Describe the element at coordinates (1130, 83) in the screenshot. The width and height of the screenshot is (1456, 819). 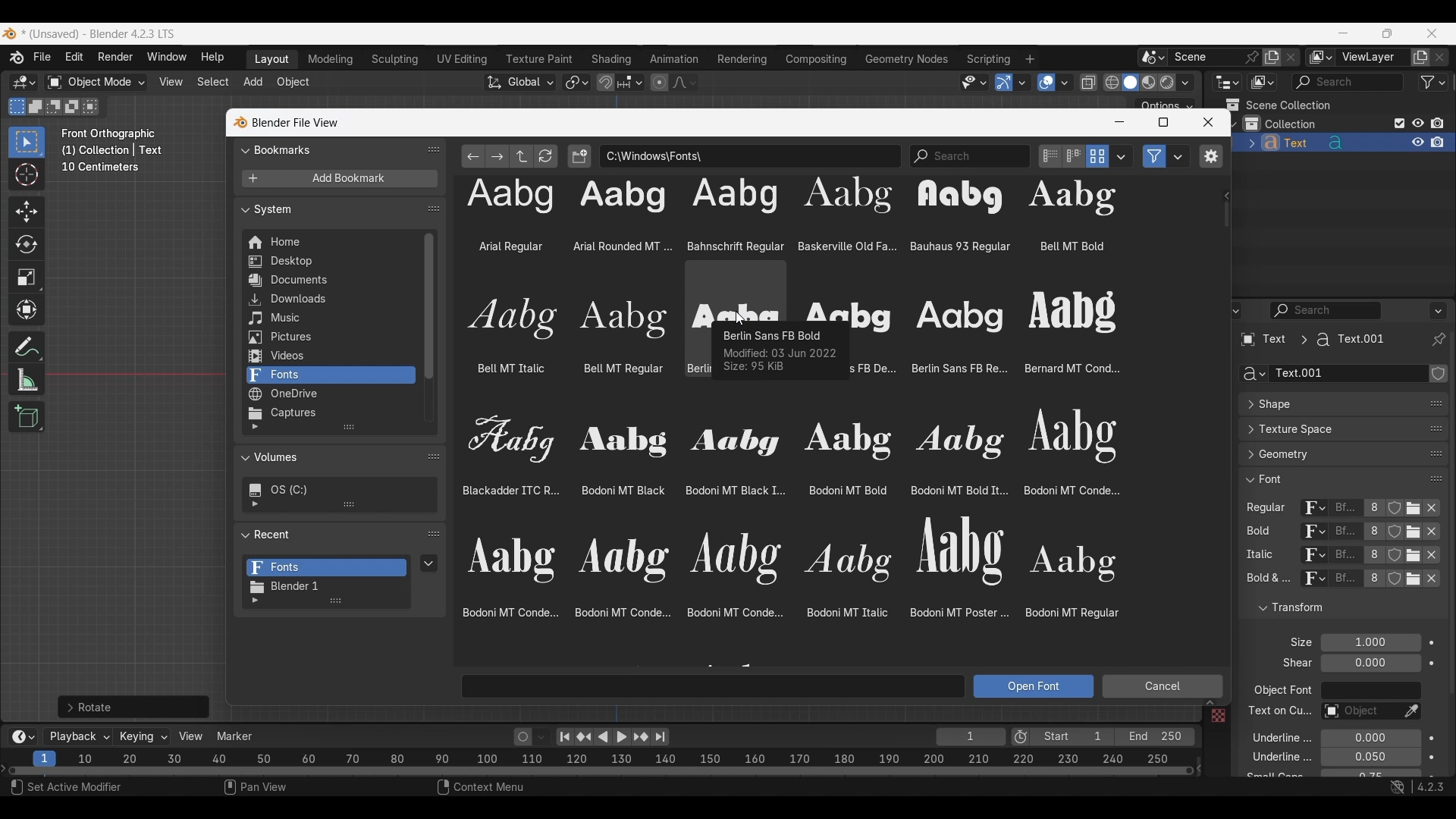
I see `Viewport shading, solid` at that location.